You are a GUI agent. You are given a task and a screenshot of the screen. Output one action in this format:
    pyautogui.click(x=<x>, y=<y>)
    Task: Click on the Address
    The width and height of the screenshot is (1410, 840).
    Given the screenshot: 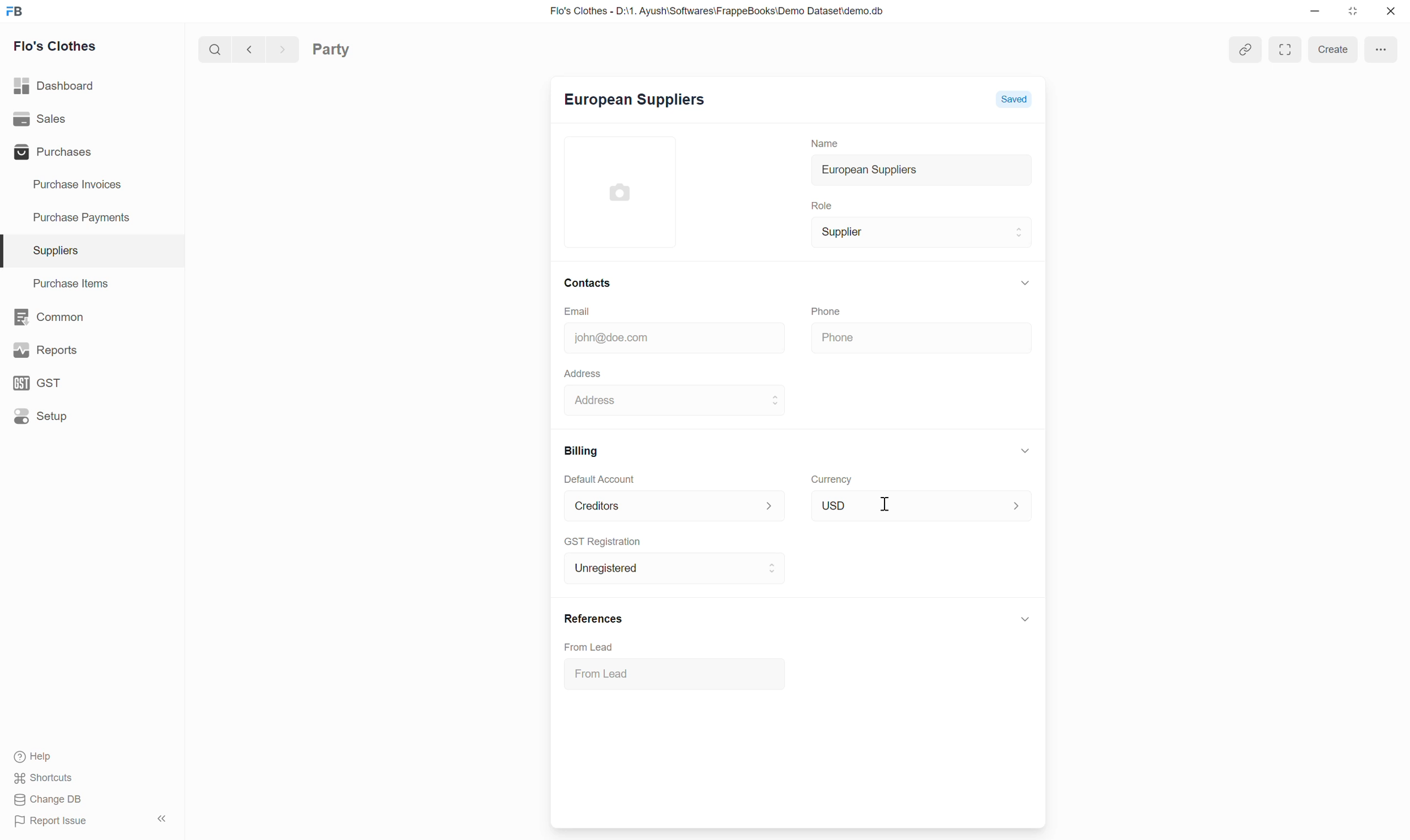 What is the action you would take?
    pyautogui.click(x=601, y=401)
    